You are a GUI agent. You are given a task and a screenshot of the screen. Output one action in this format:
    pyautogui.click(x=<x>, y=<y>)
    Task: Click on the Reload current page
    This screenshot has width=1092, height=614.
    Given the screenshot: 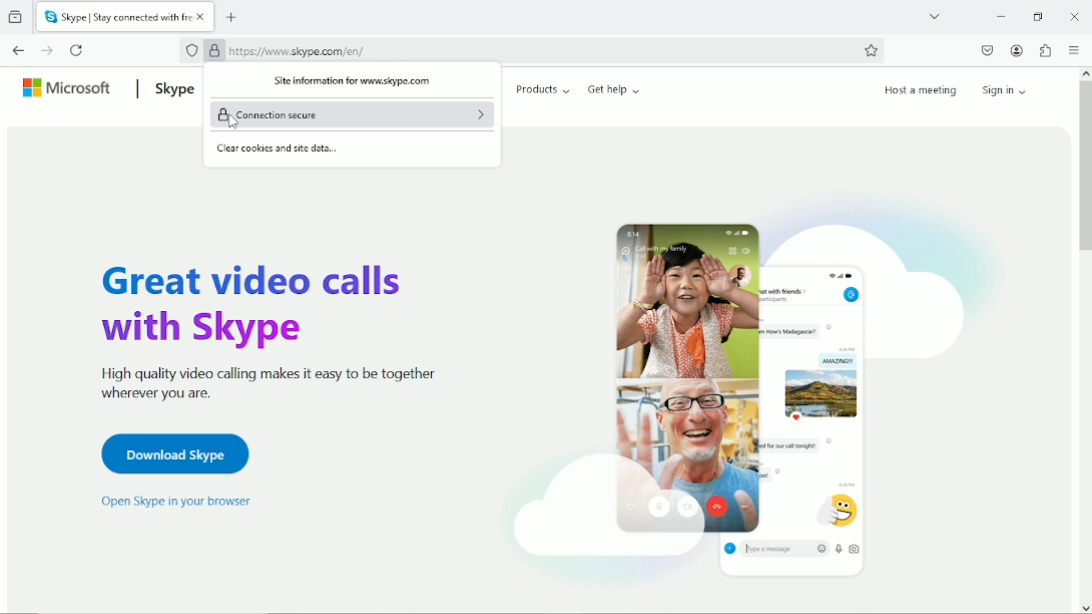 What is the action you would take?
    pyautogui.click(x=77, y=49)
    